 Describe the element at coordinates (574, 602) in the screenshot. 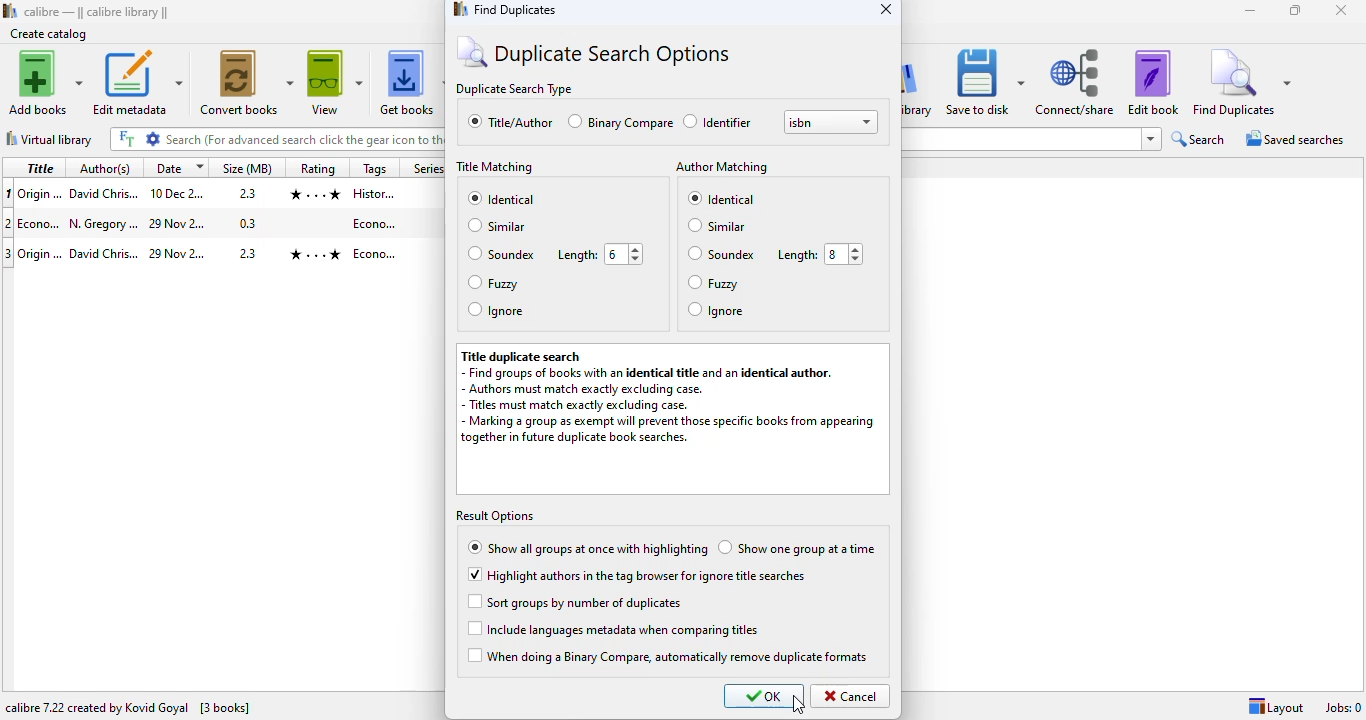

I see `sort groups by number of duplicates` at that location.